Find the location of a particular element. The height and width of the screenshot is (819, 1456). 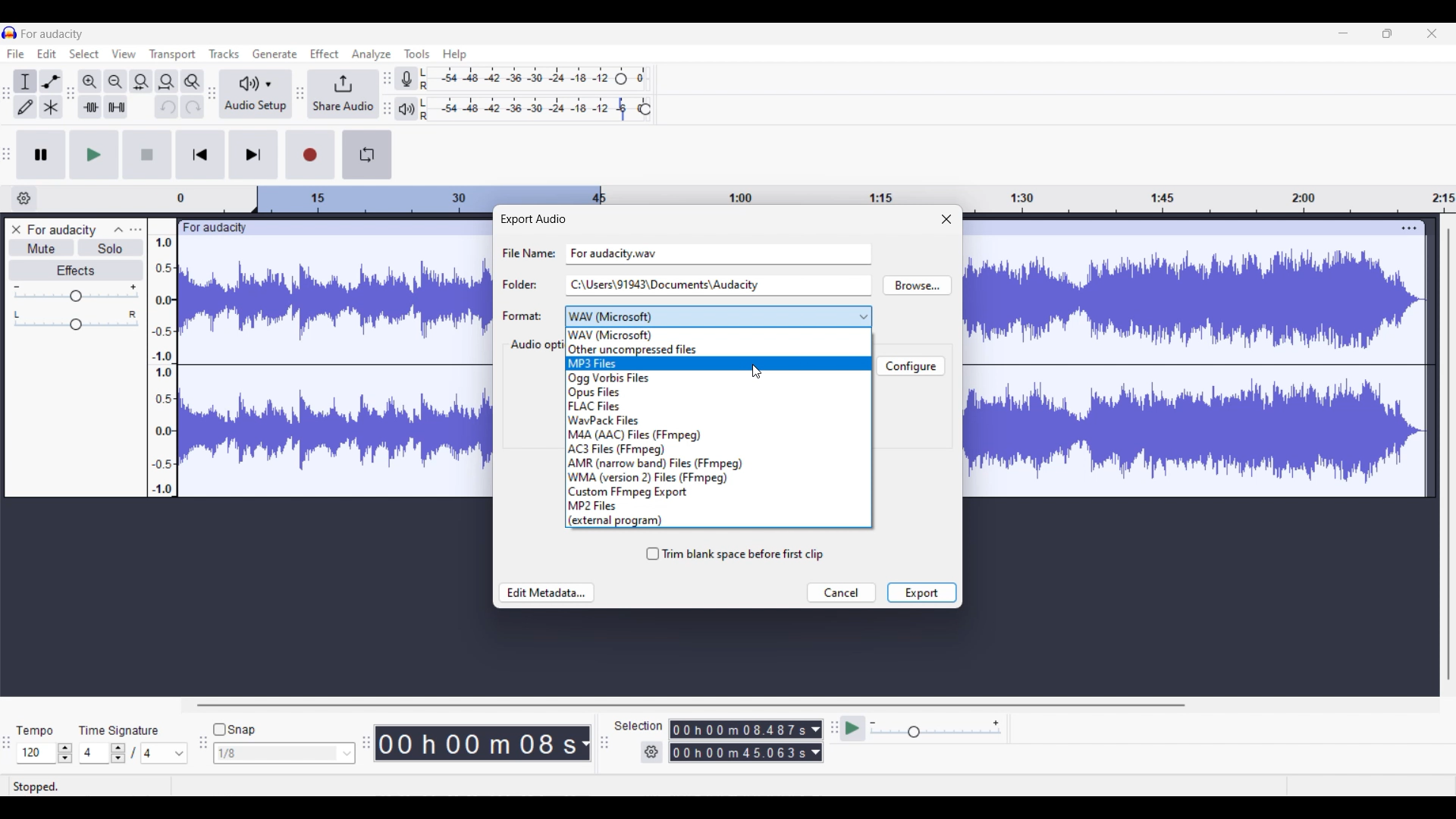

Export is located at coordinates (921, 592).